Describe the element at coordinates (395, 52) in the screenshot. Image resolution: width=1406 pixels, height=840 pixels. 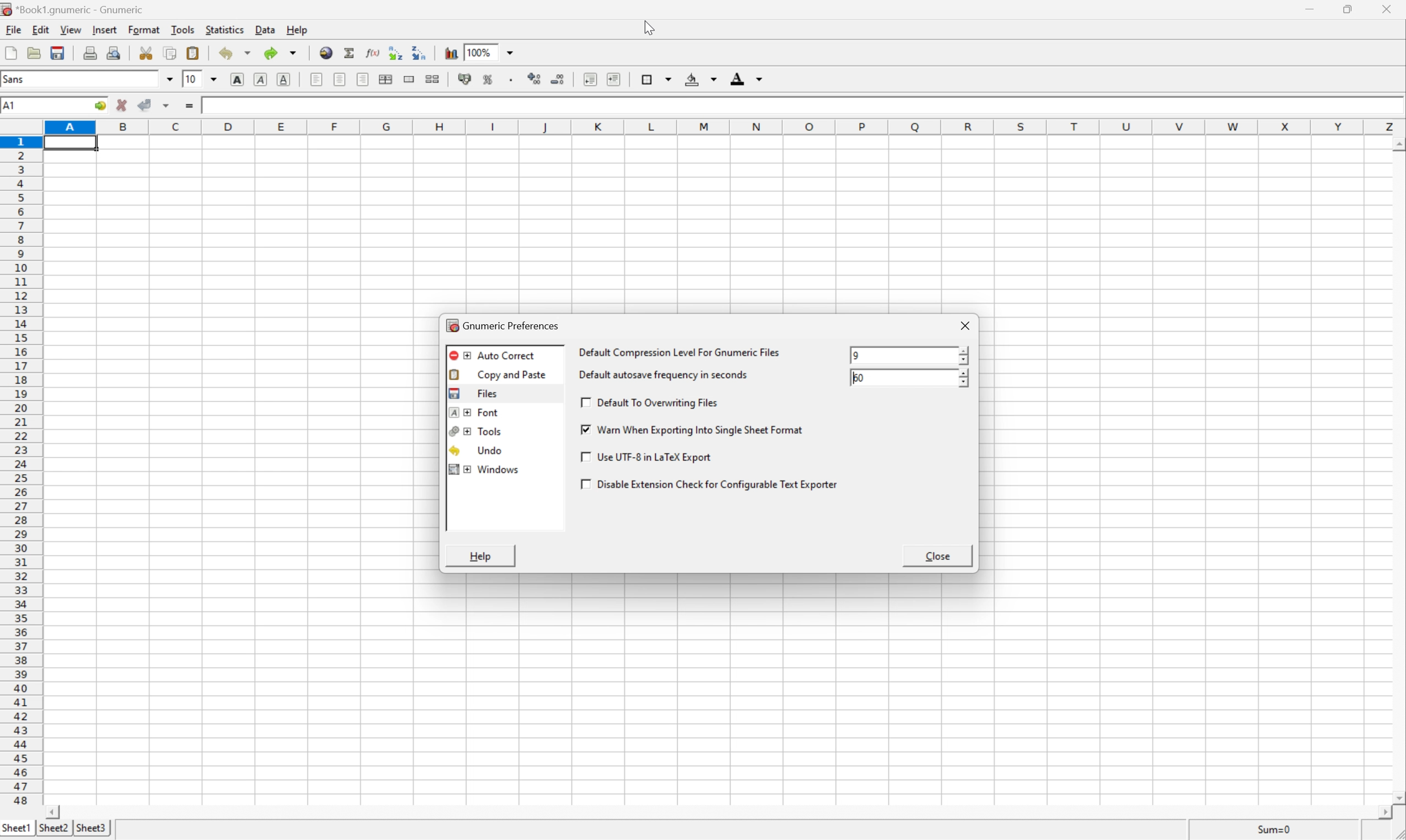
I see `Sort the selected region in ascending order based on the first column selected` at that location.